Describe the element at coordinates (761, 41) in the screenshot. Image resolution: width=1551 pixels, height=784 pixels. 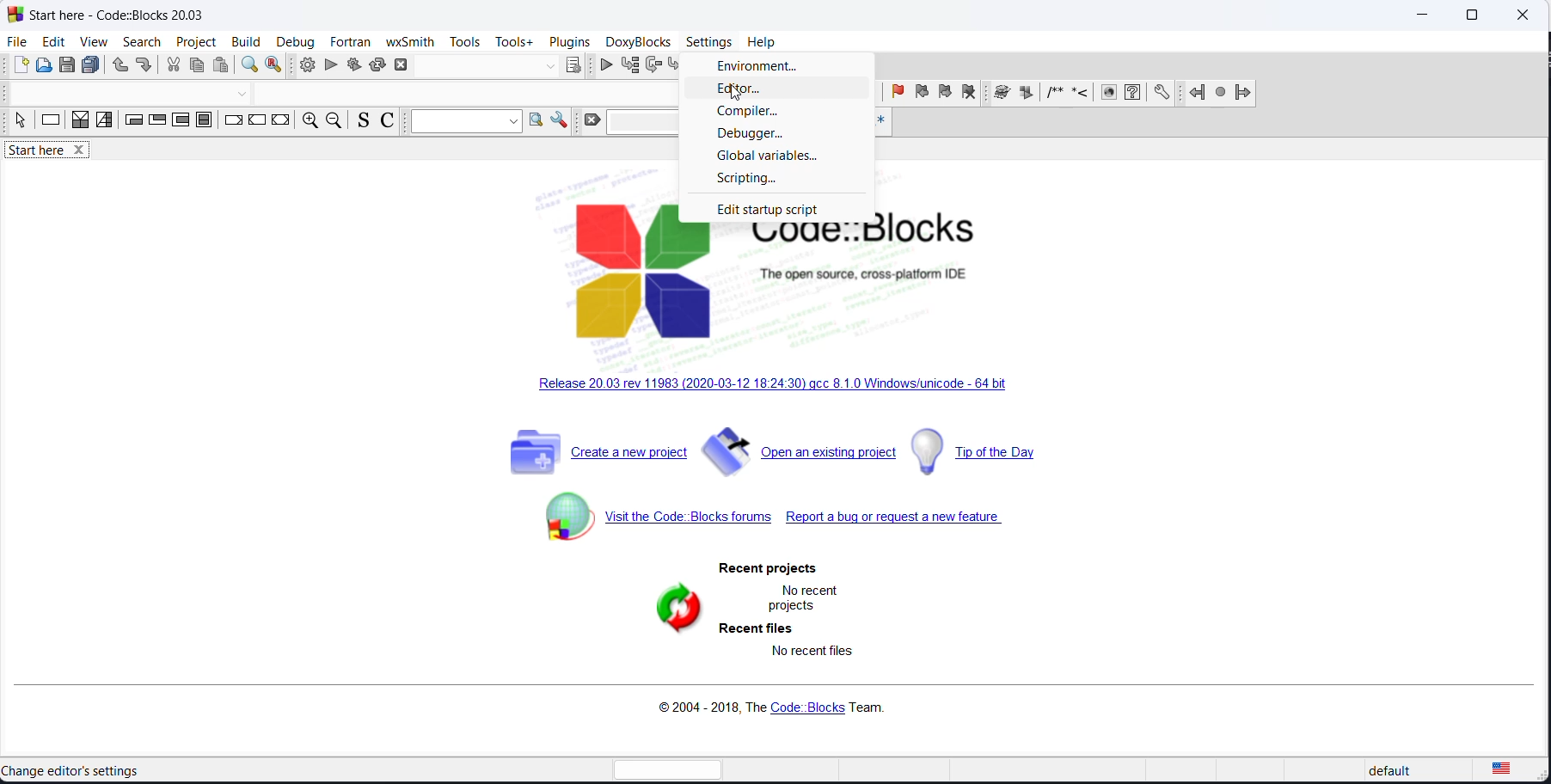
I see `help` at that location.